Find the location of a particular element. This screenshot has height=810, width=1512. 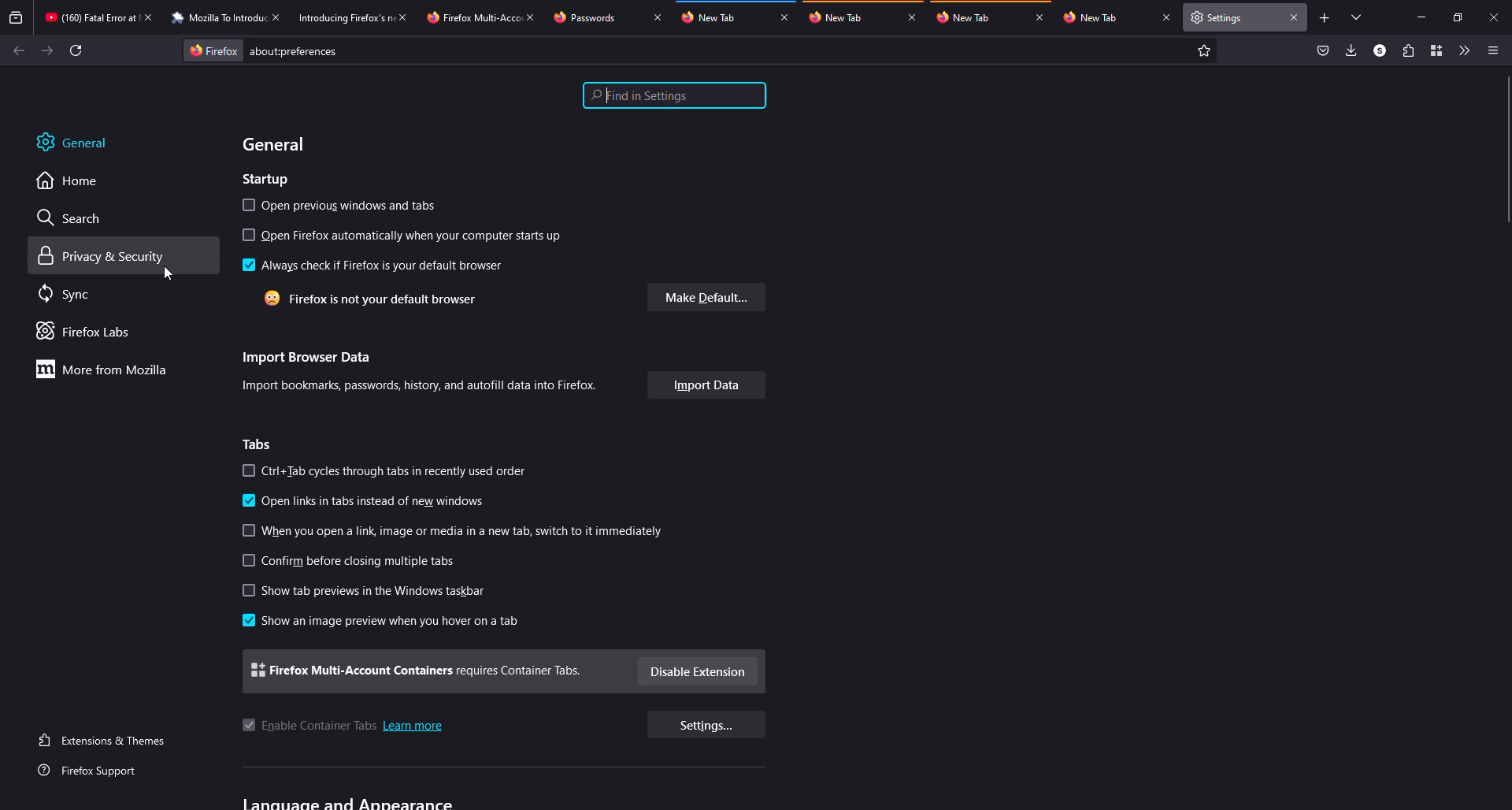

show tab previews in the windows taskbar is located at coordinates (380, 591).